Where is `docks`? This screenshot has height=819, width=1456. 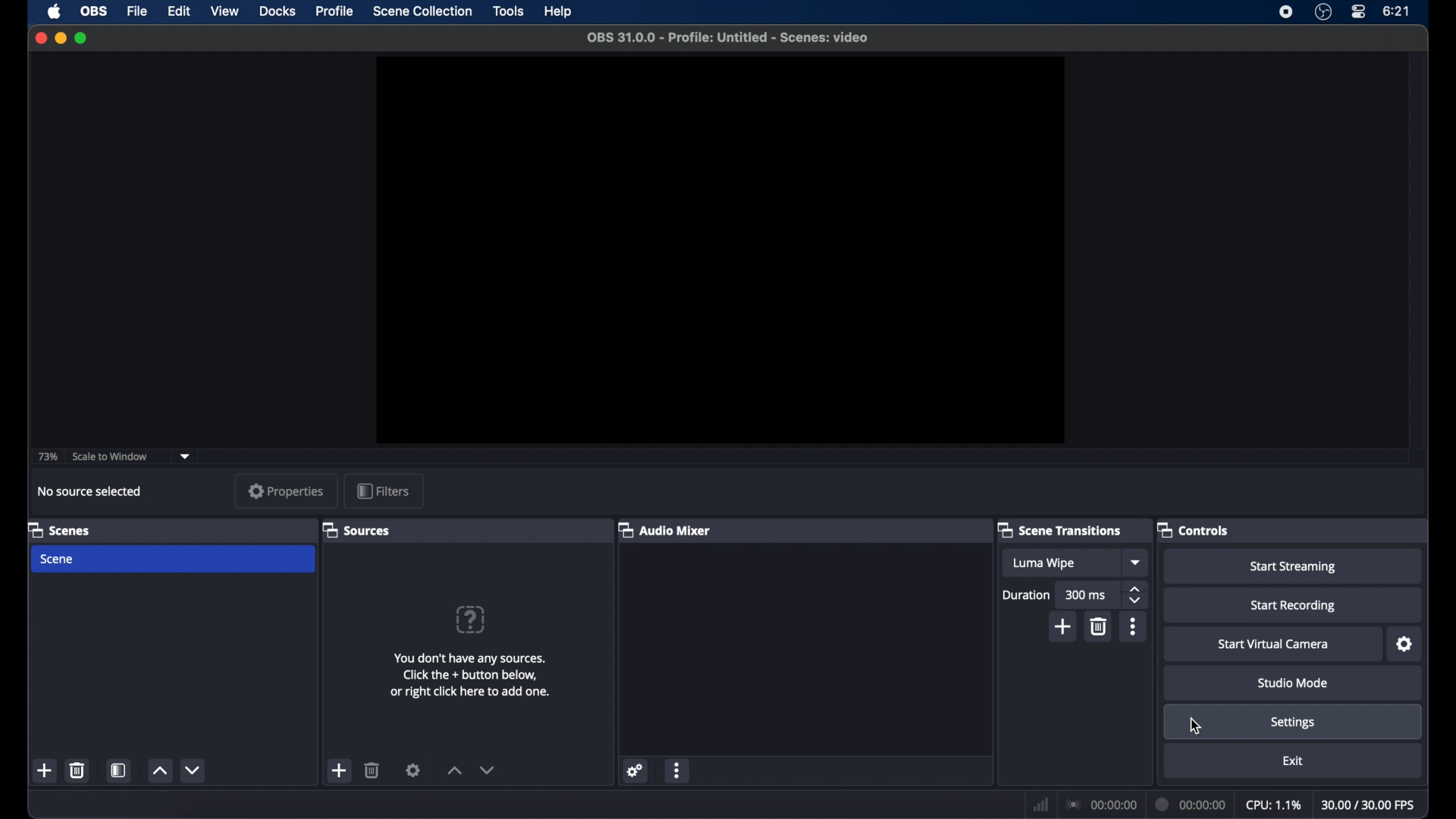 docks is located at coordinates (278, 11).